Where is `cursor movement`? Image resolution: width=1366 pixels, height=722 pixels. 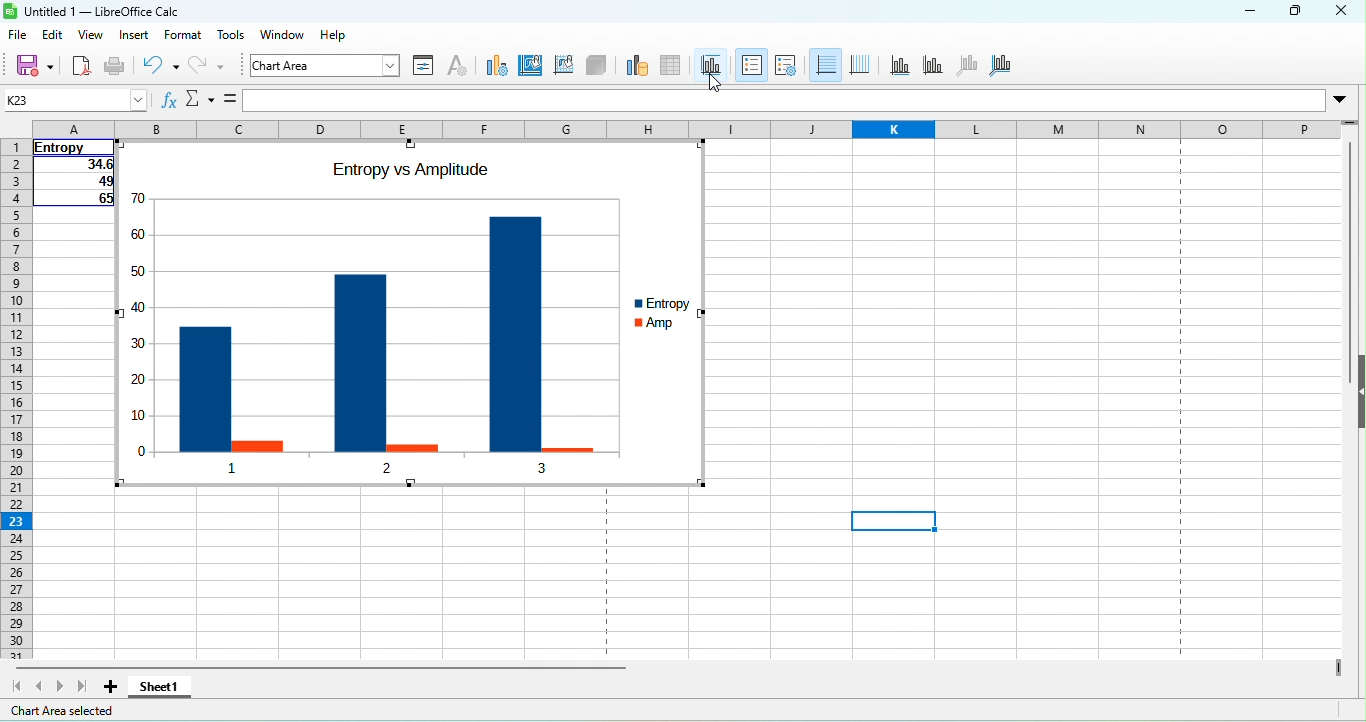
cursor movement is located at coordinates (711, 78).